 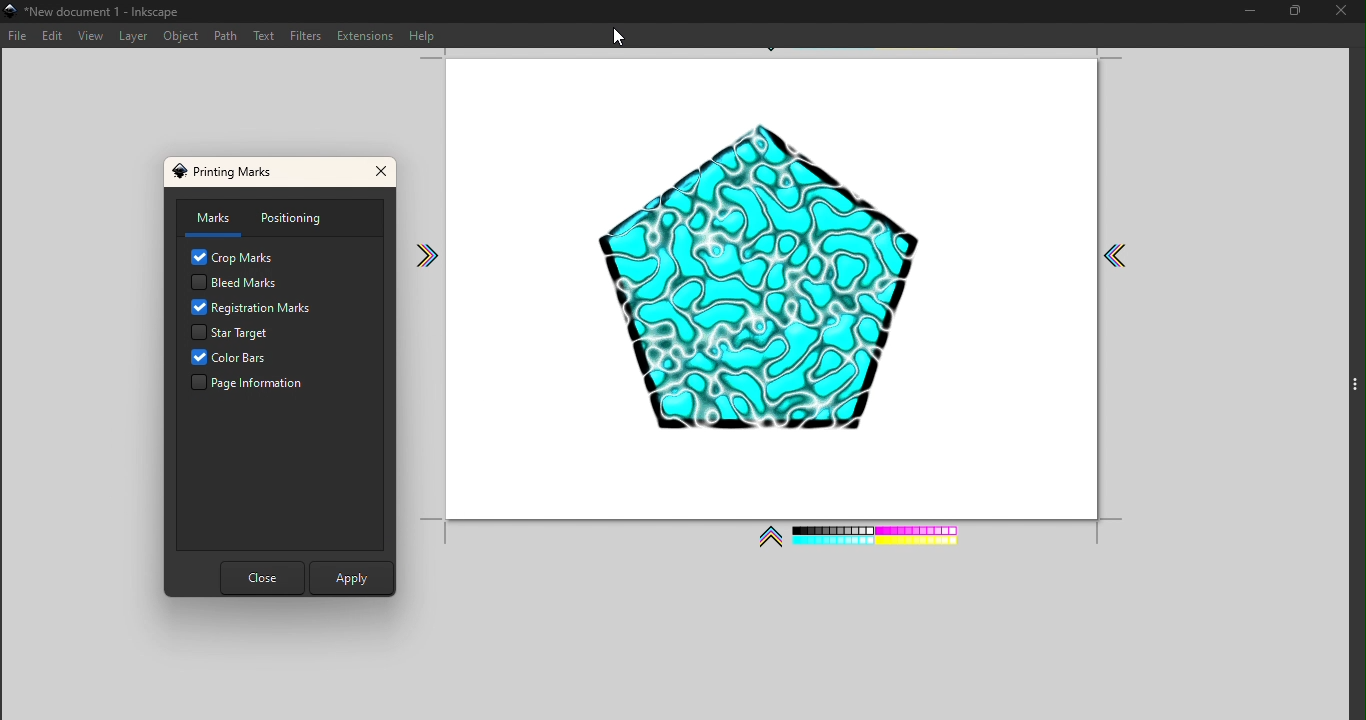 What do you see at coordinates (347, 575) in the screenshot?
I see `Apply` at bounding box center [347, 575].